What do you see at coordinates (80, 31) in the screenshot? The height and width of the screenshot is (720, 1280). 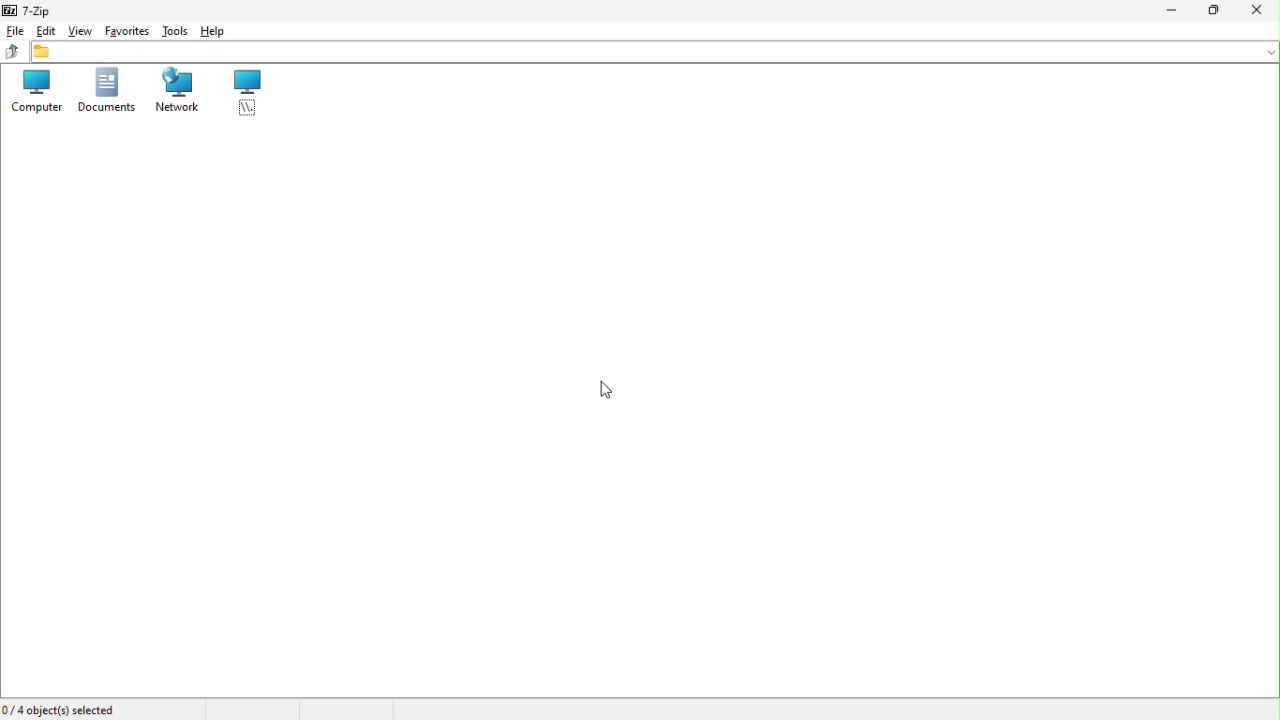 I see `View ` at bounding box center [80, 31].